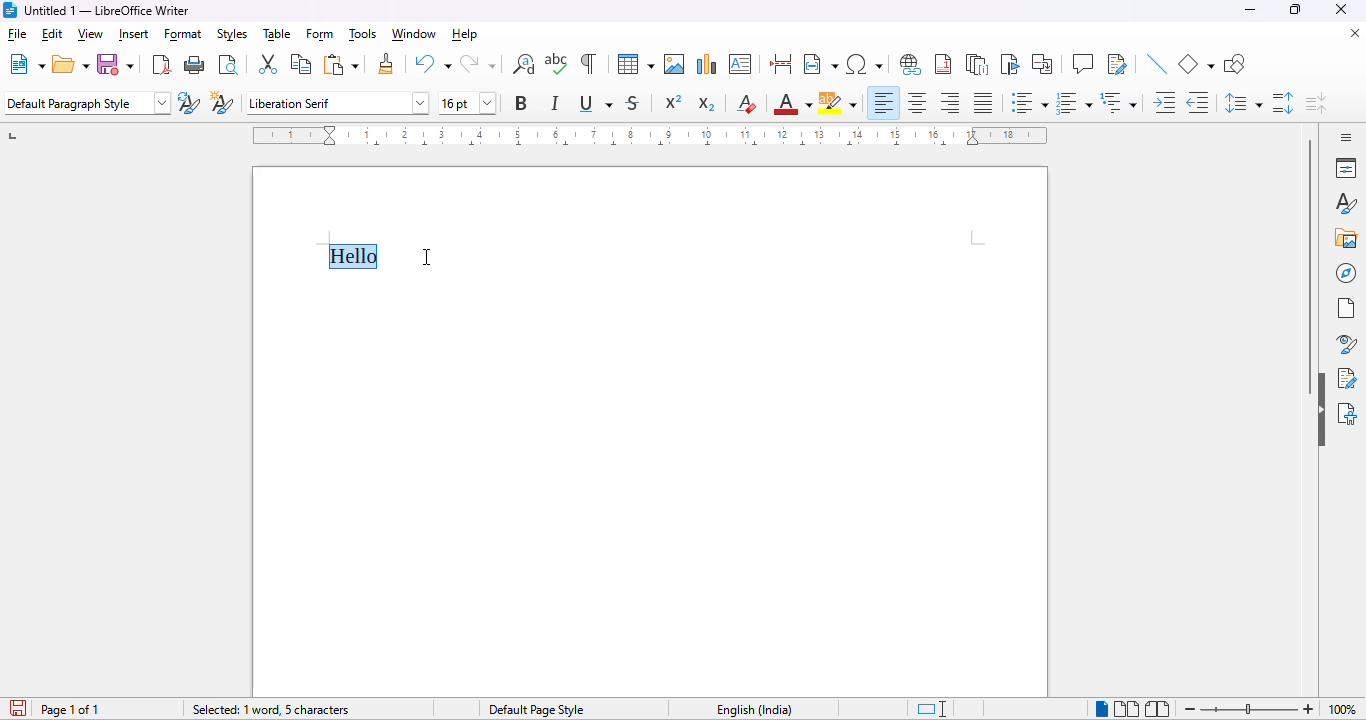 Image resolution: width=1366 pixels, height=720 pixels. What do you see at coordinates (1196, 65) in the screenshot?
I see `basic shapes` at bounding box center [1196, 65].